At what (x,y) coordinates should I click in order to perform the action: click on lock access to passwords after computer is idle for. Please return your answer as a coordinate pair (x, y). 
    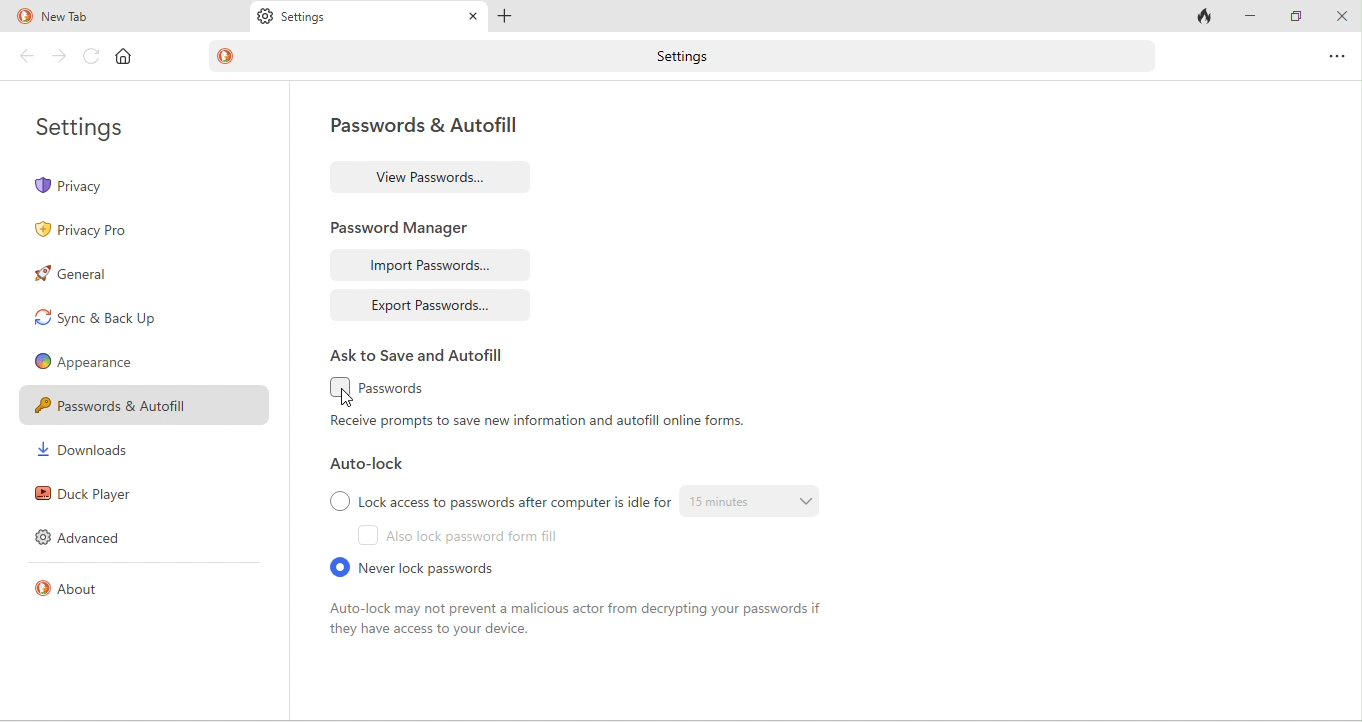
    Looking at the image, I should click on (496, 501).